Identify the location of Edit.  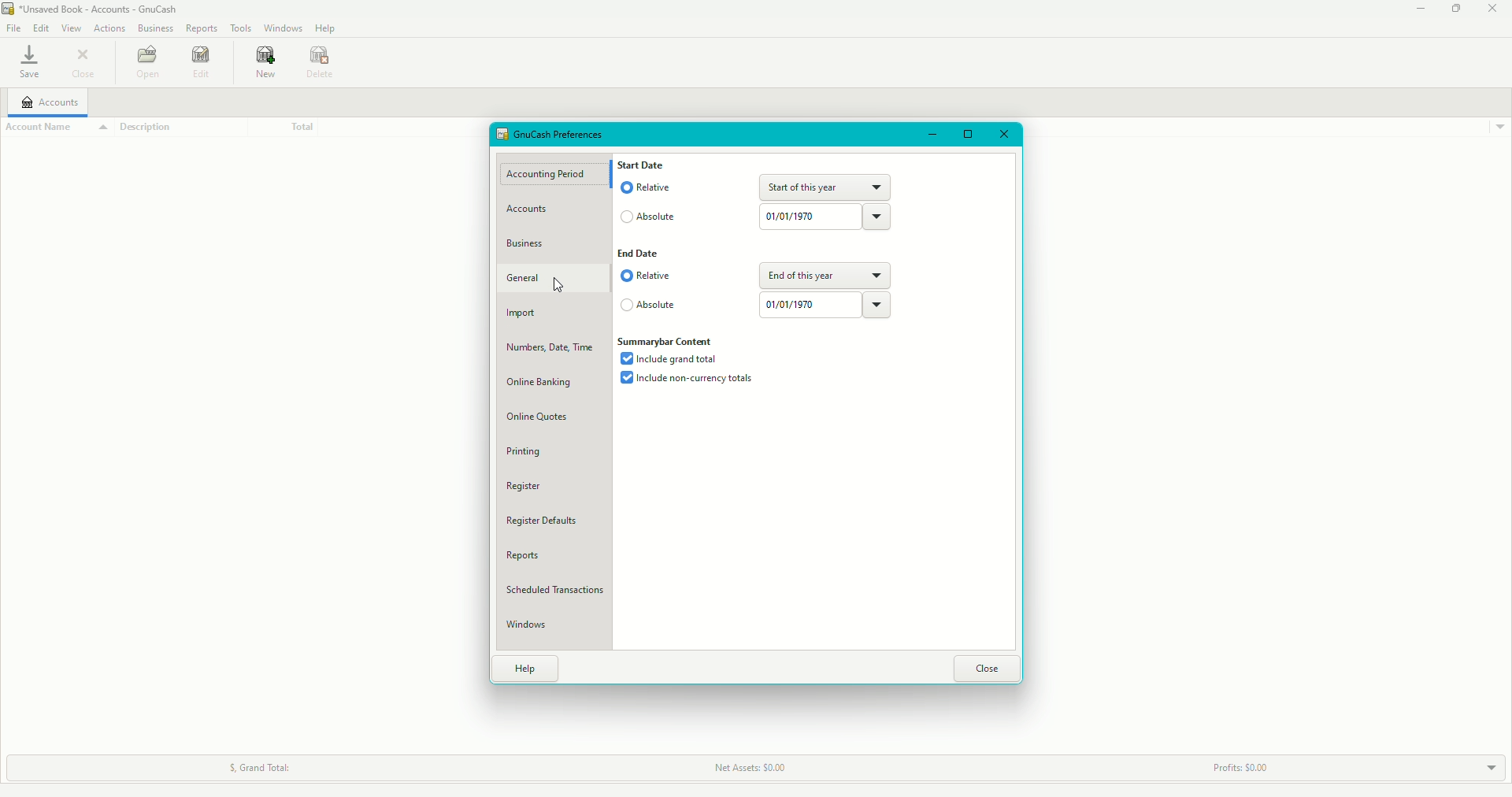
(200, 65).